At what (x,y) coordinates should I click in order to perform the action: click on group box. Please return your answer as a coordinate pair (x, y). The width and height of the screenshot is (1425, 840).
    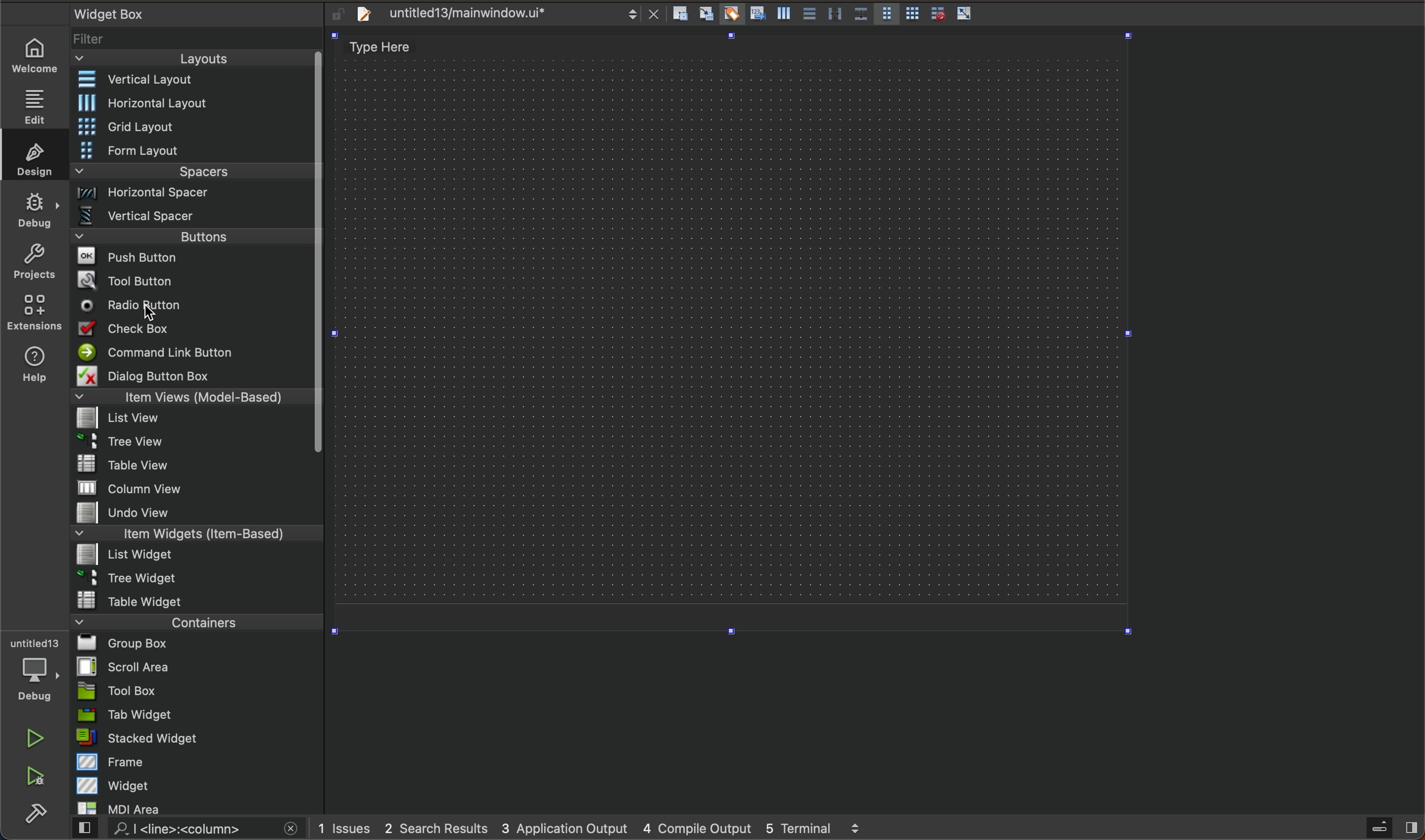
    Looking at the image, I should click on (198, 642).